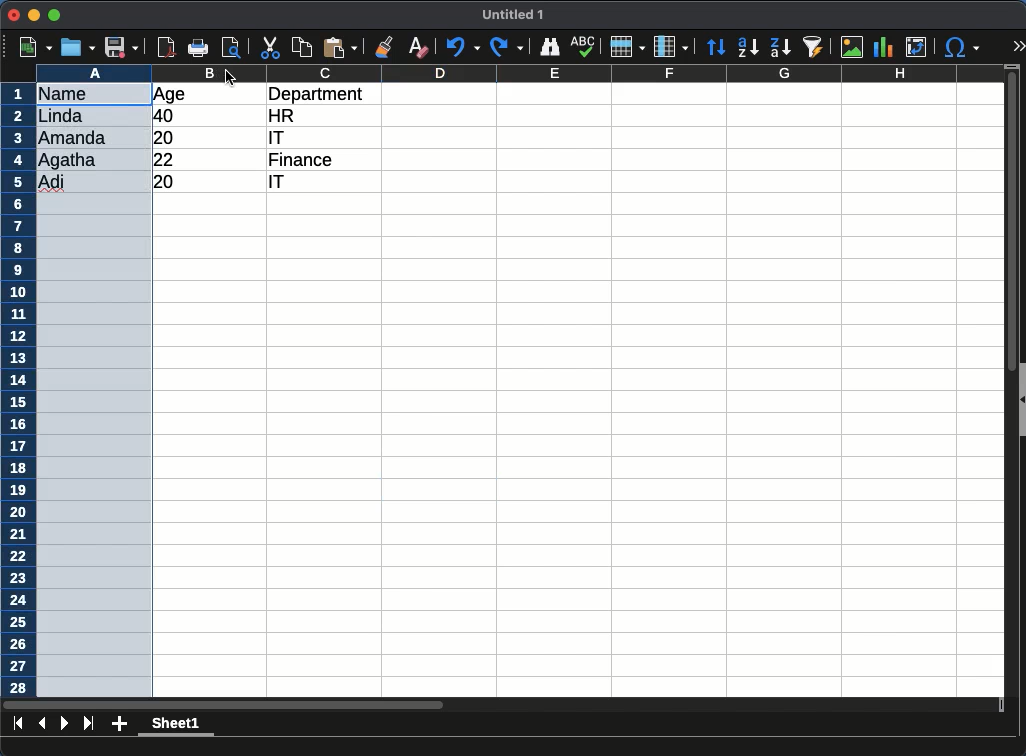 Image resolution: width=1026 pixels, height=756 pixels. I want to click on untitled 1, so click(514, 15).